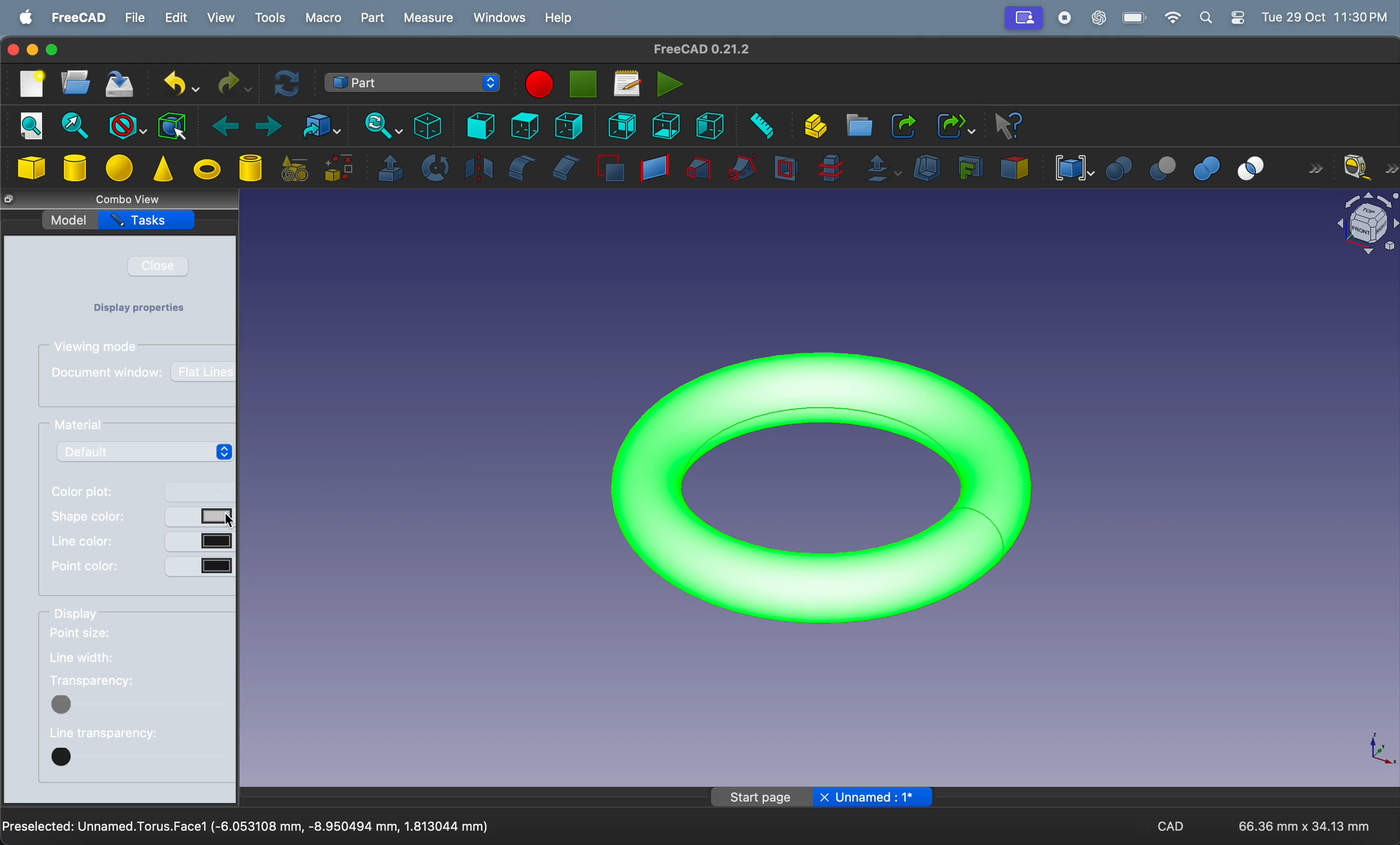  Describe the element at coordinates (655, 168) in the screenshot. I see `create ruled surface` at that location.